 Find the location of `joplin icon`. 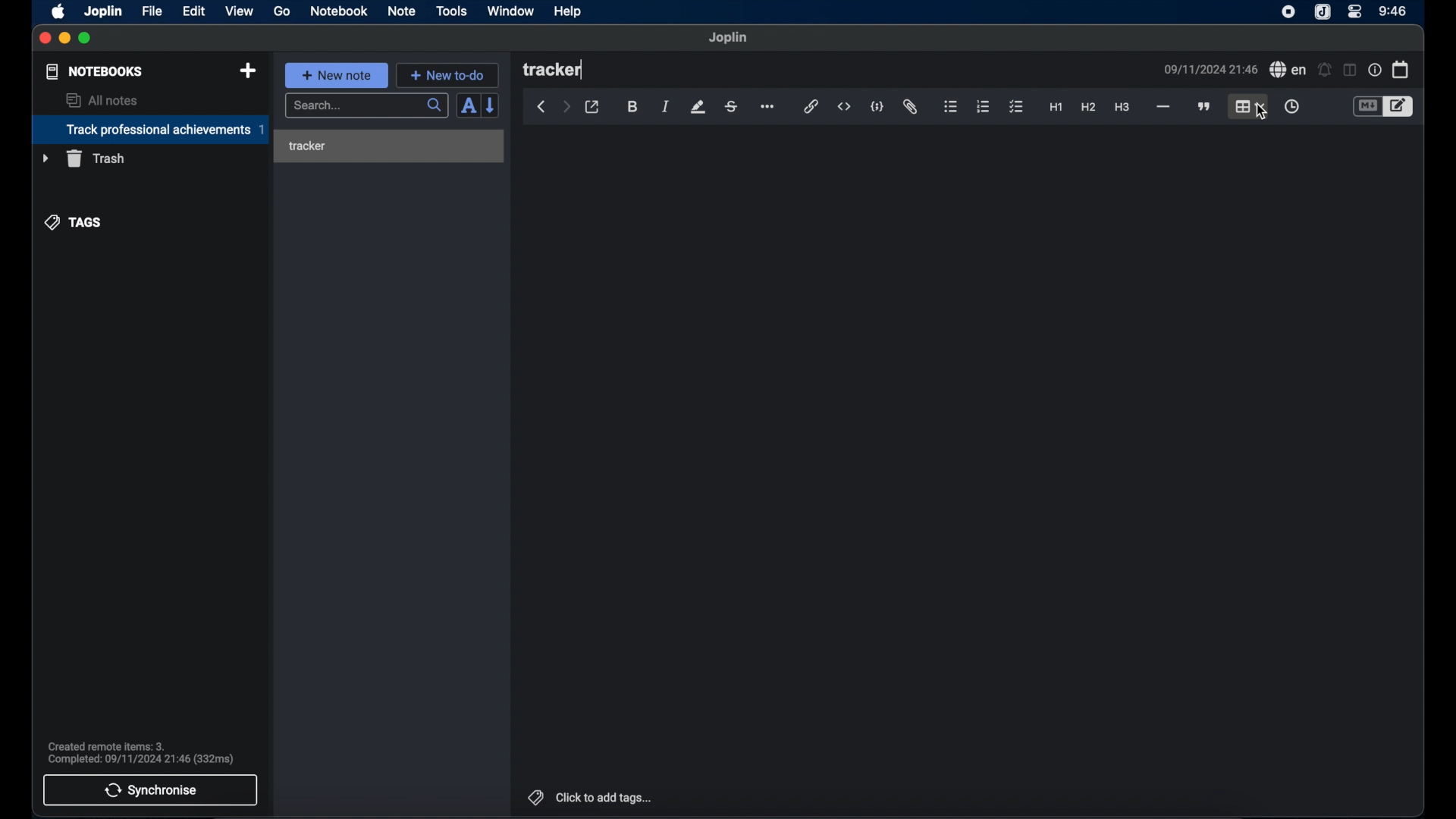

joplin icon is located at coordinates (1288, 13).